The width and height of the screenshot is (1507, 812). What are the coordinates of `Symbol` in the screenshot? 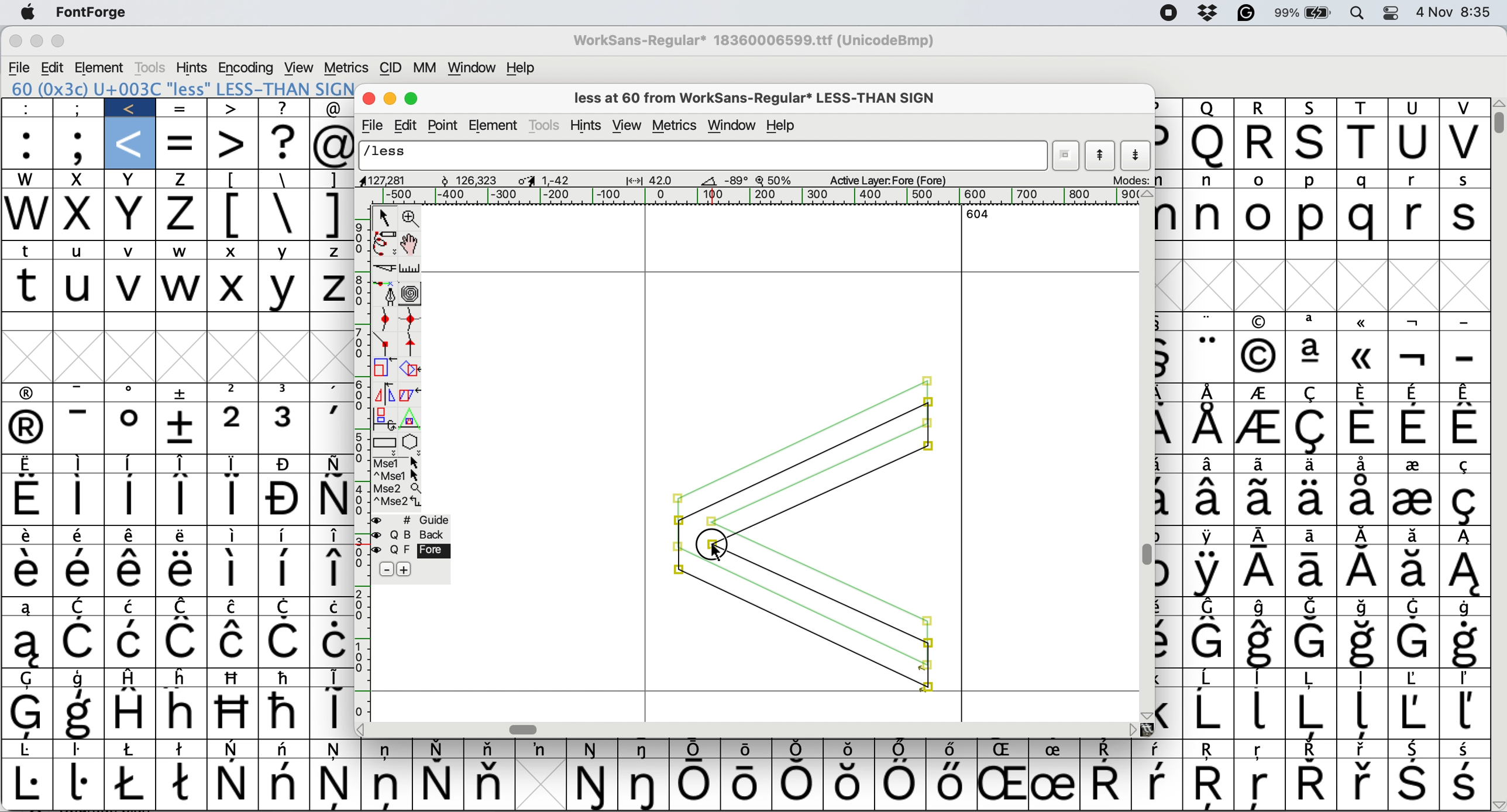 It's located at (1210, 786).